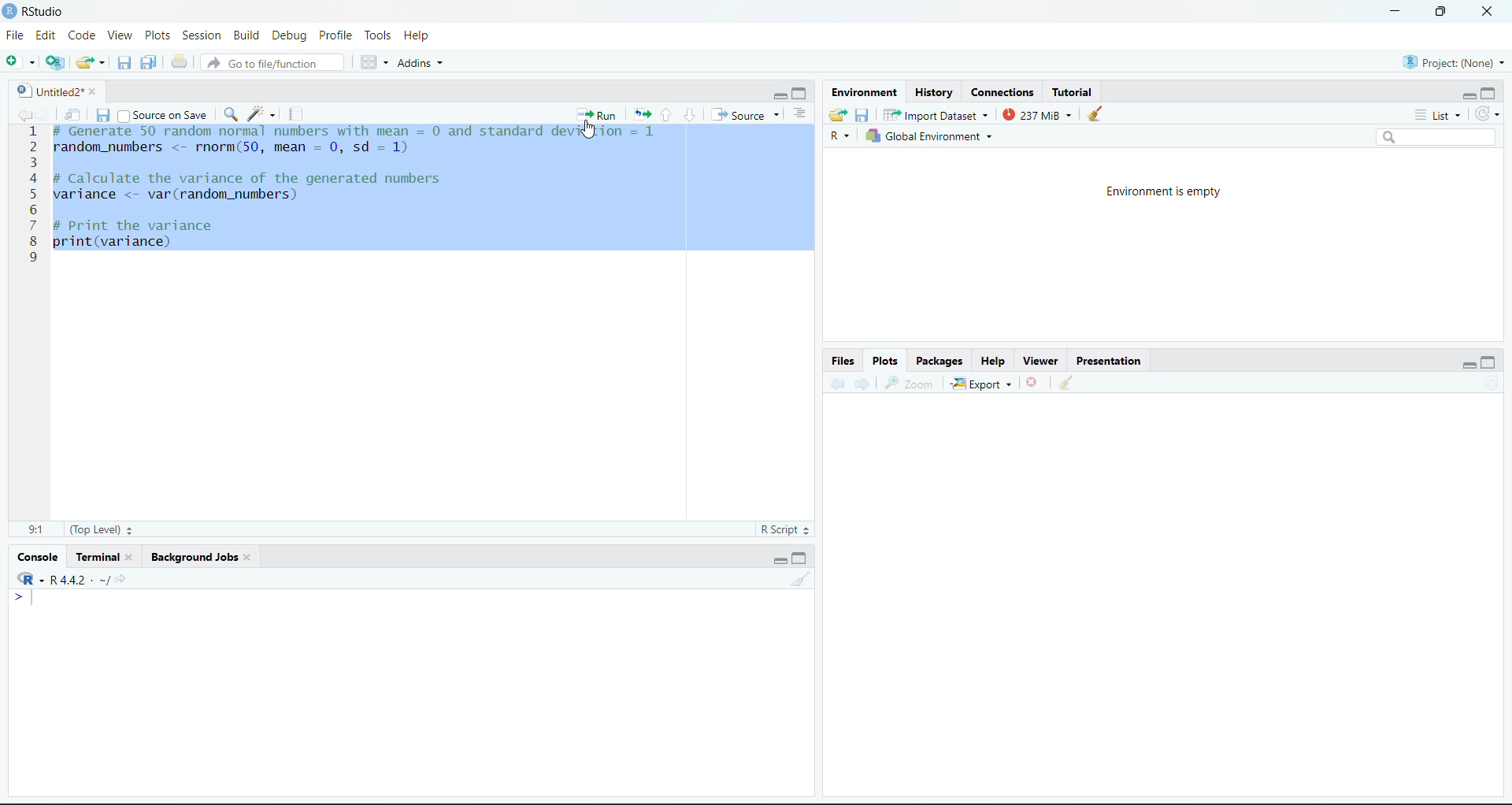 This screenshot has width=1512, height=805. What do you see at coordinates (124, 63) in the screenshot?
I see `save` at bounding box center [124, 63].